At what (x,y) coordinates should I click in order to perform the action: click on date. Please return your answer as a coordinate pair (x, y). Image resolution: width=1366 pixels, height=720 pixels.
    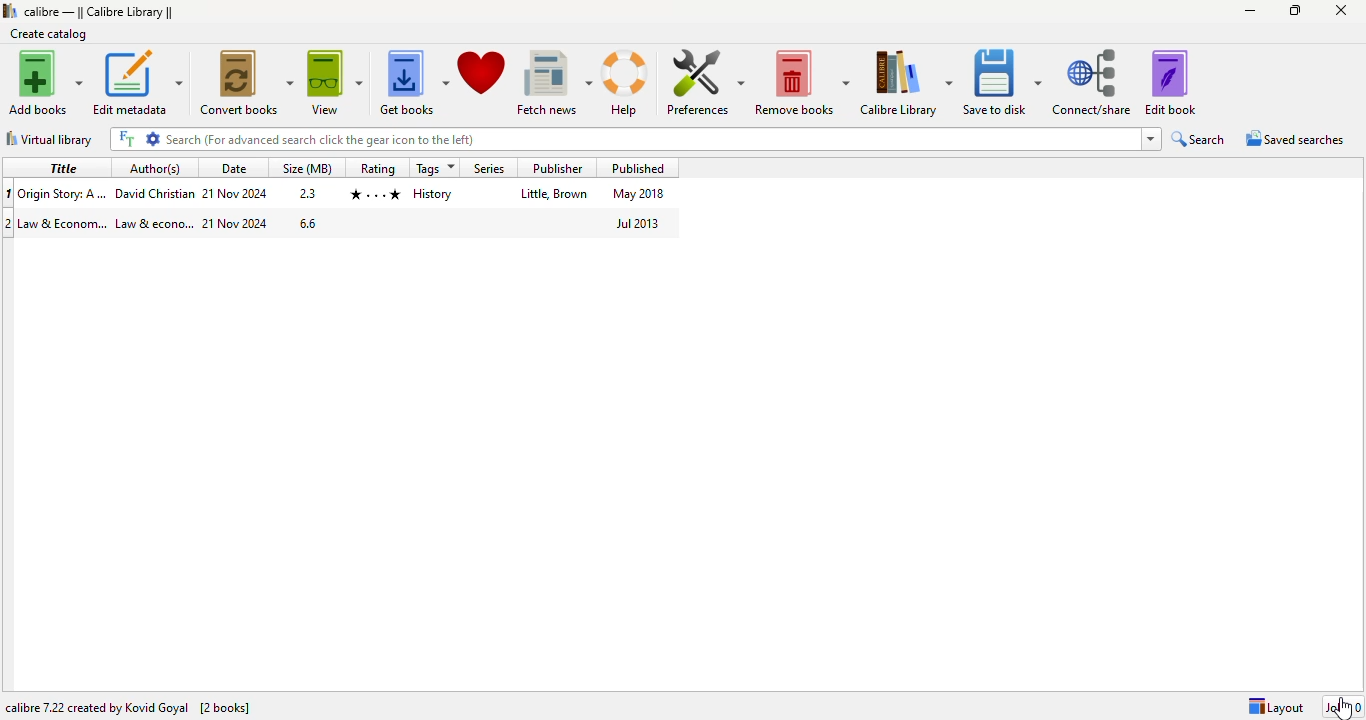
    Looking at the image, I should click on (233, 168).